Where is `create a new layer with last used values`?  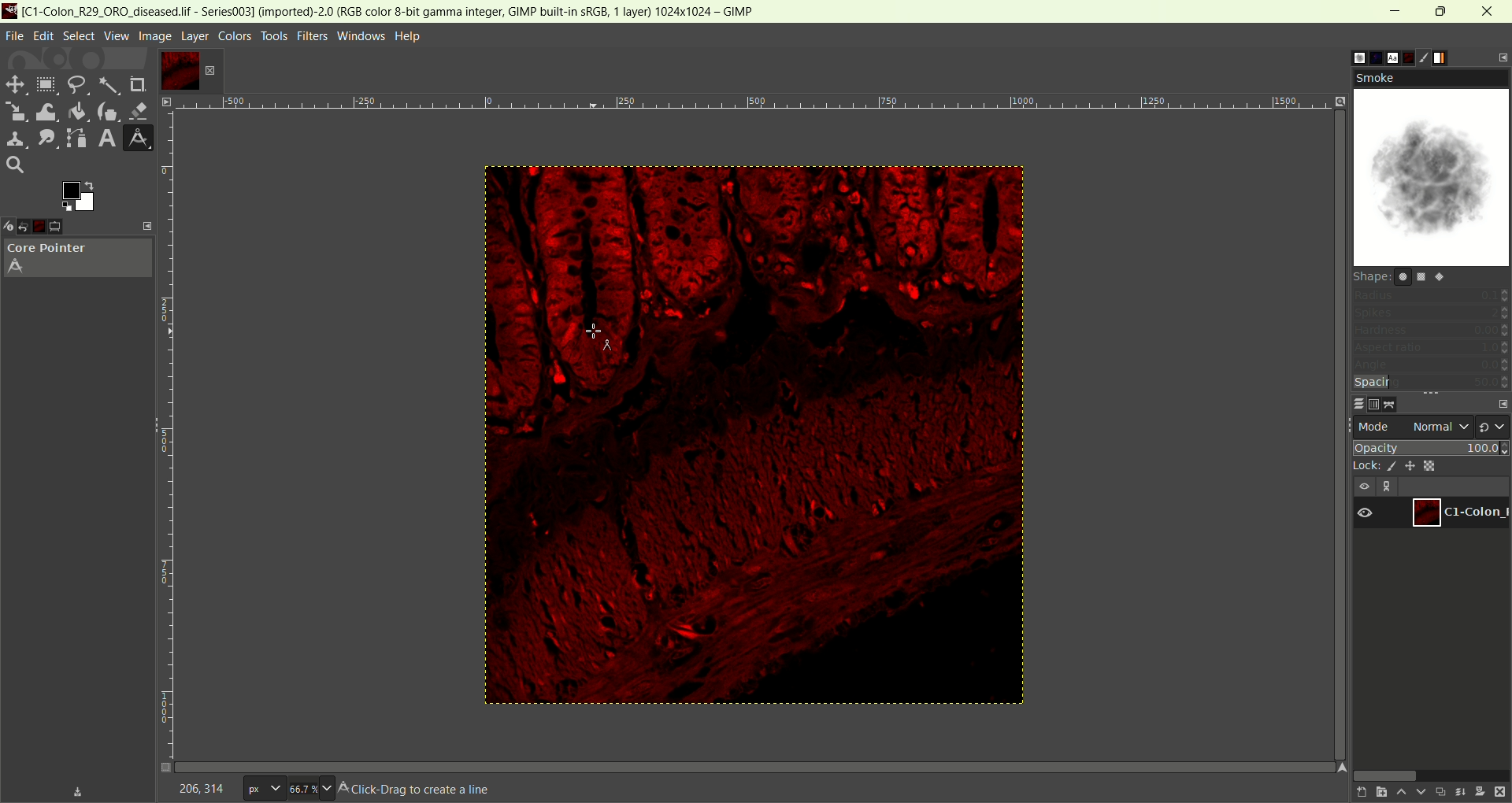
create a new layer with last used values is located at coordinates (1355, 793).